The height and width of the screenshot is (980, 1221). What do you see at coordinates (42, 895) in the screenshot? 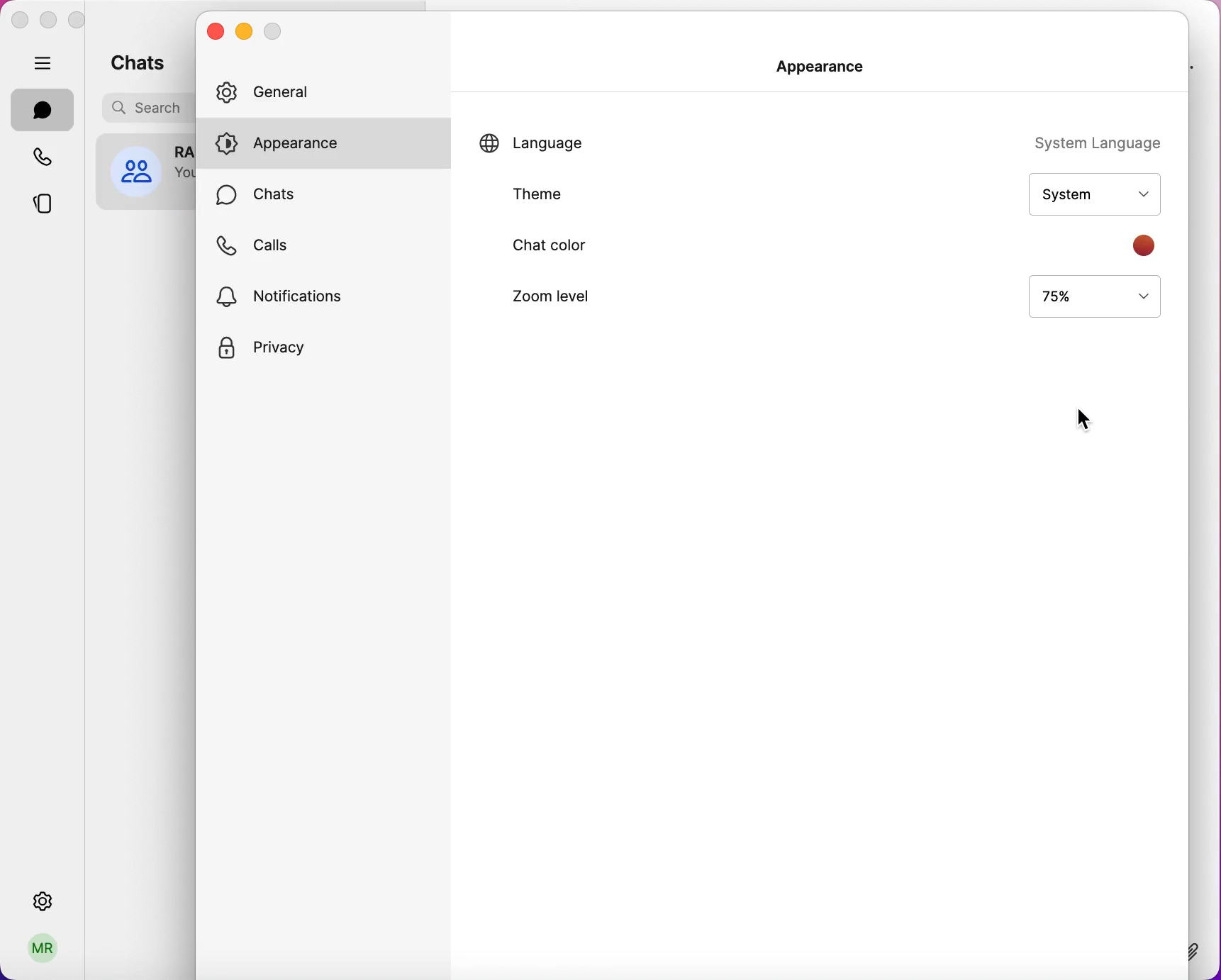
I see `settings` at bounding box center [42, 895].